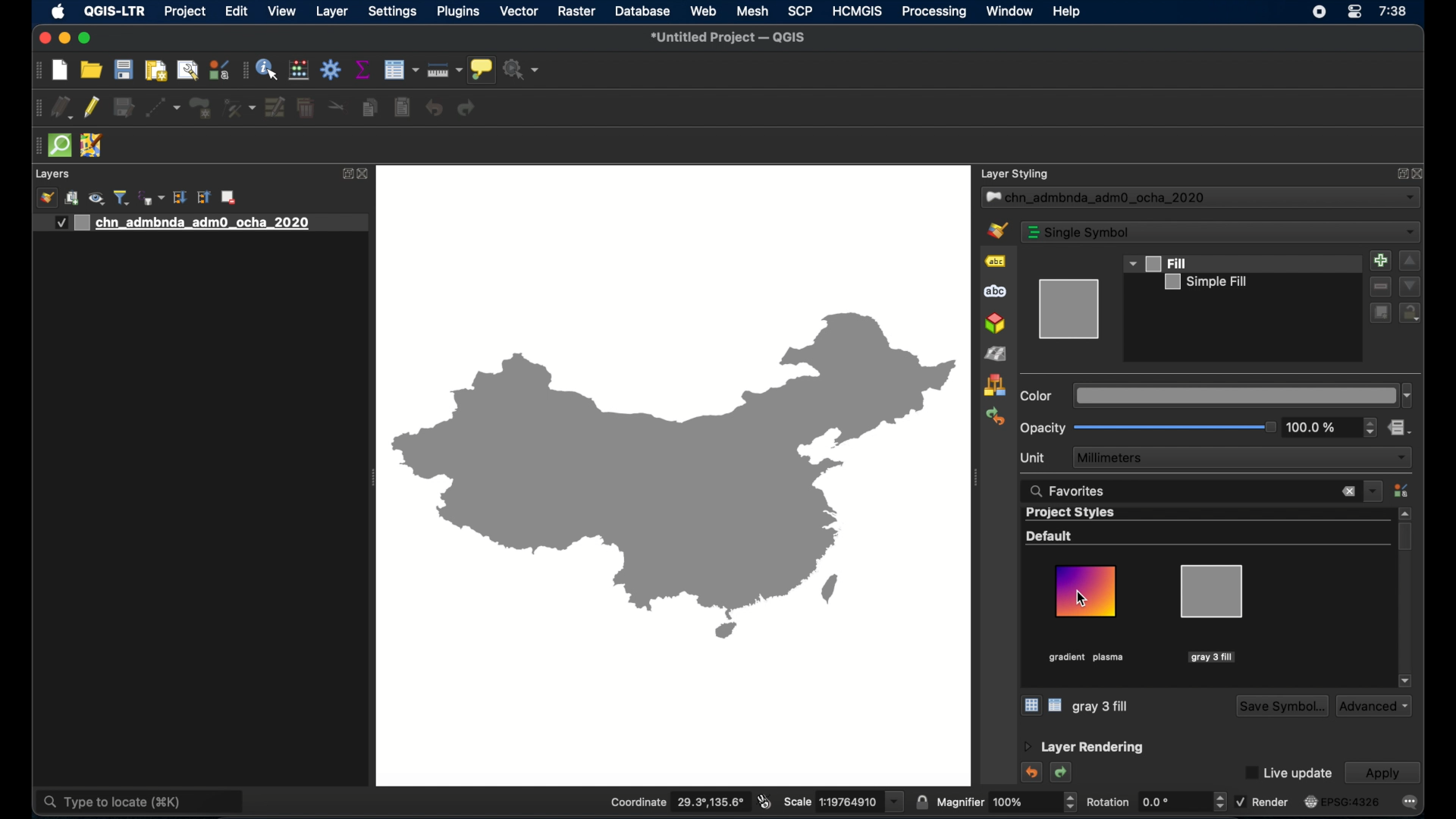 This screenshot has width=1456, height=819. Describe the element at coordinates (1068, 491) in the screenshot. I see `favorites` at that location.